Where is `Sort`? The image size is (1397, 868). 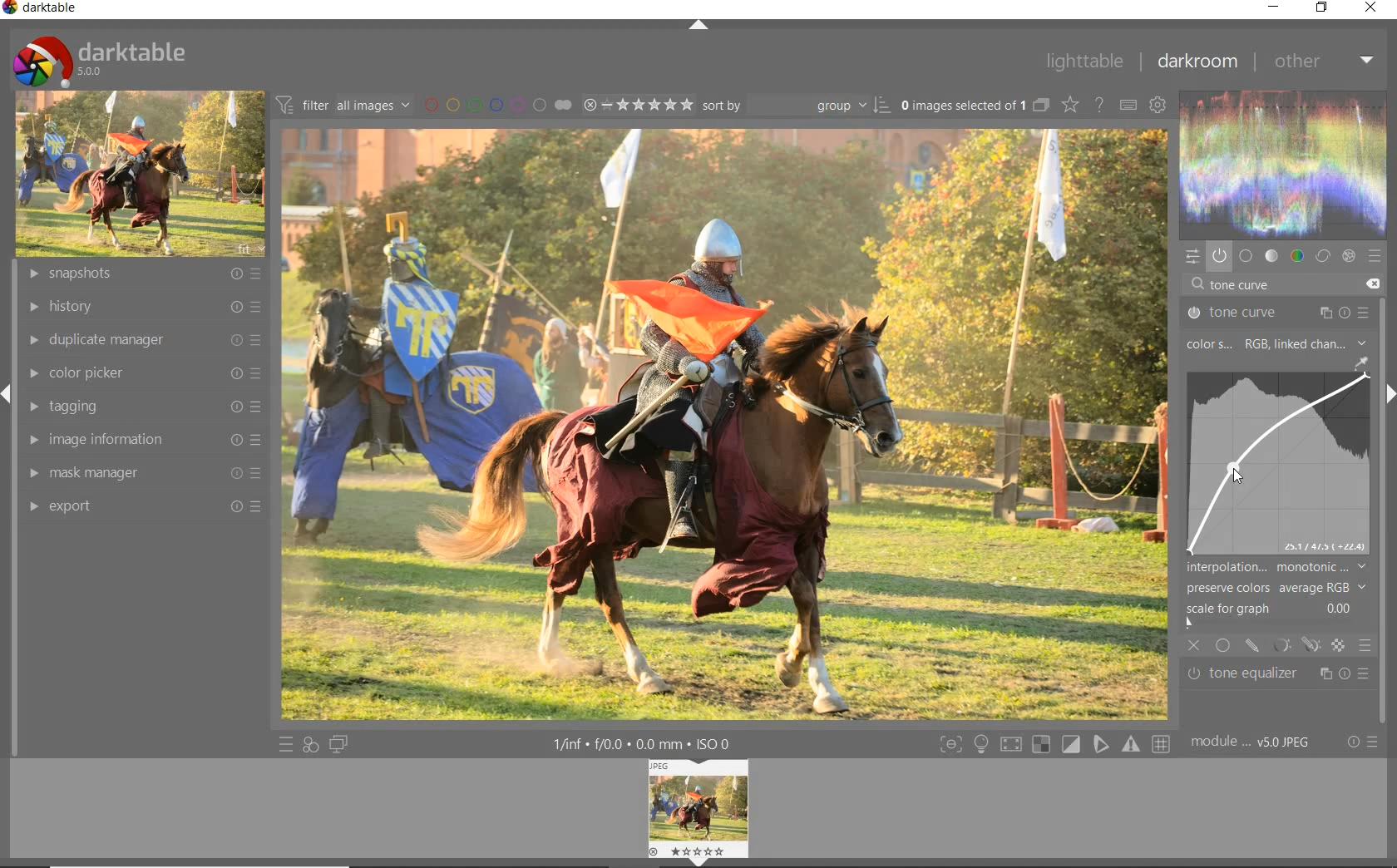
Sort is located at coordinates (796, 105).